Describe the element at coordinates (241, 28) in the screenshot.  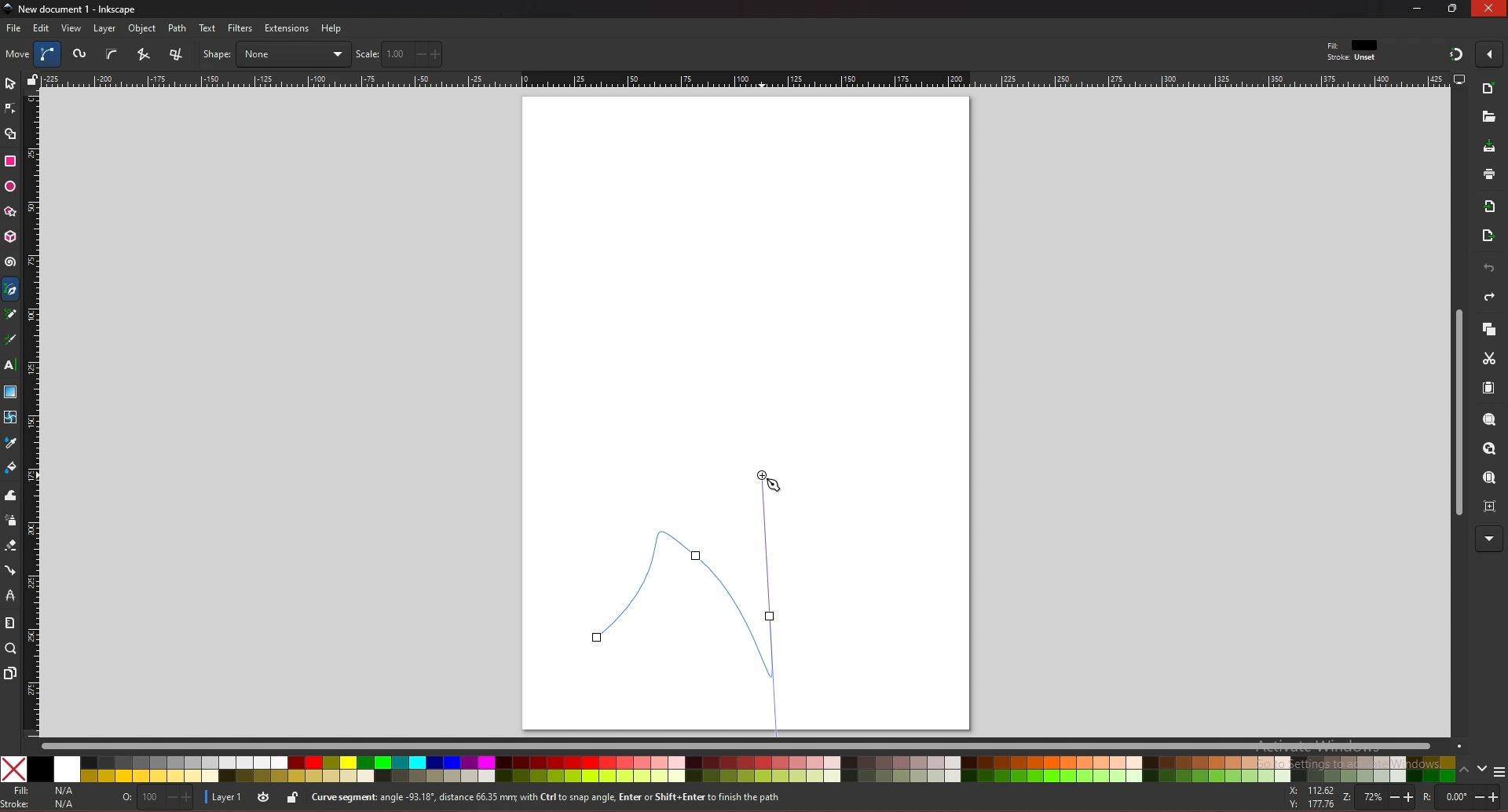
I see `filters` at that location.